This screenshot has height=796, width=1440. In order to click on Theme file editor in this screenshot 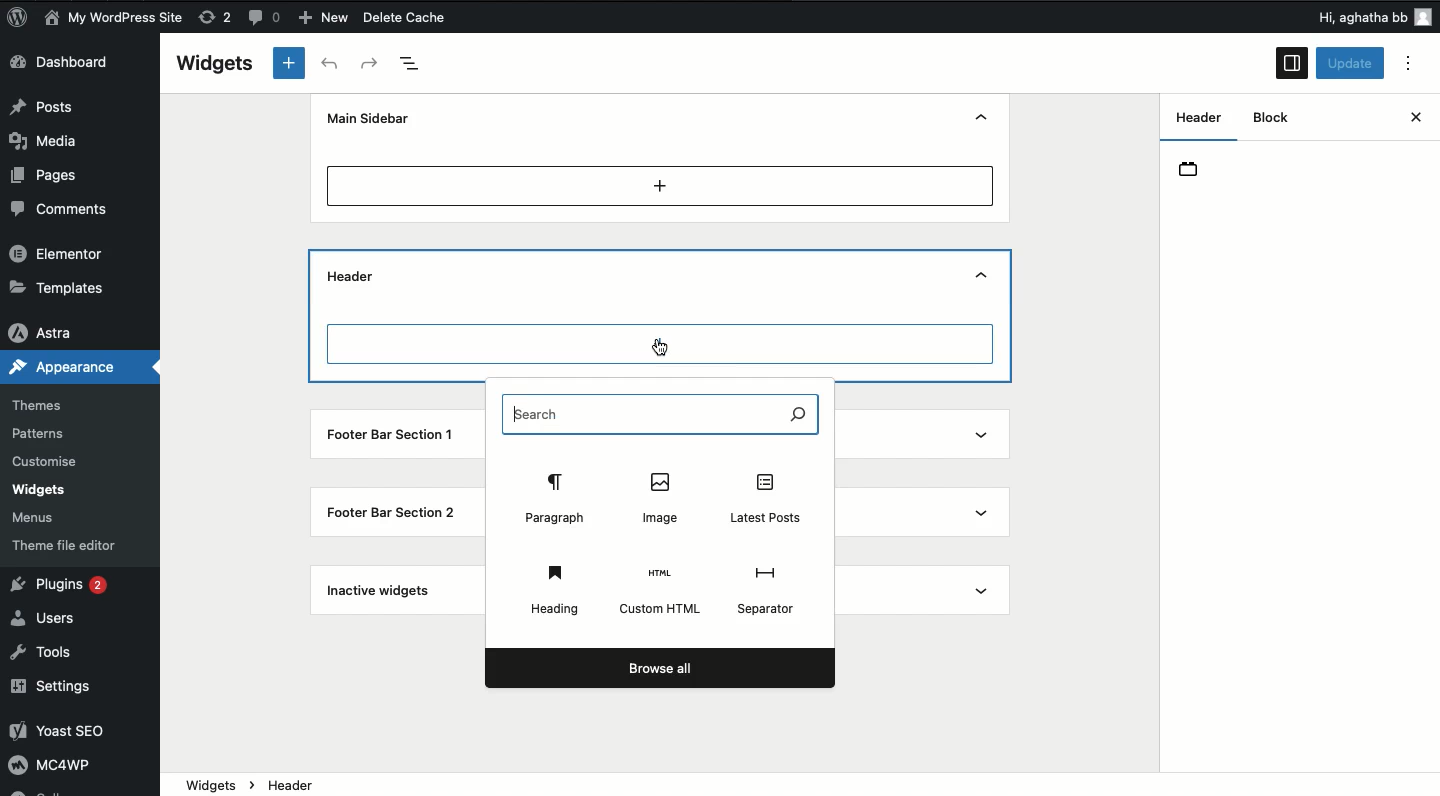, I will do `click(65, 541)`.